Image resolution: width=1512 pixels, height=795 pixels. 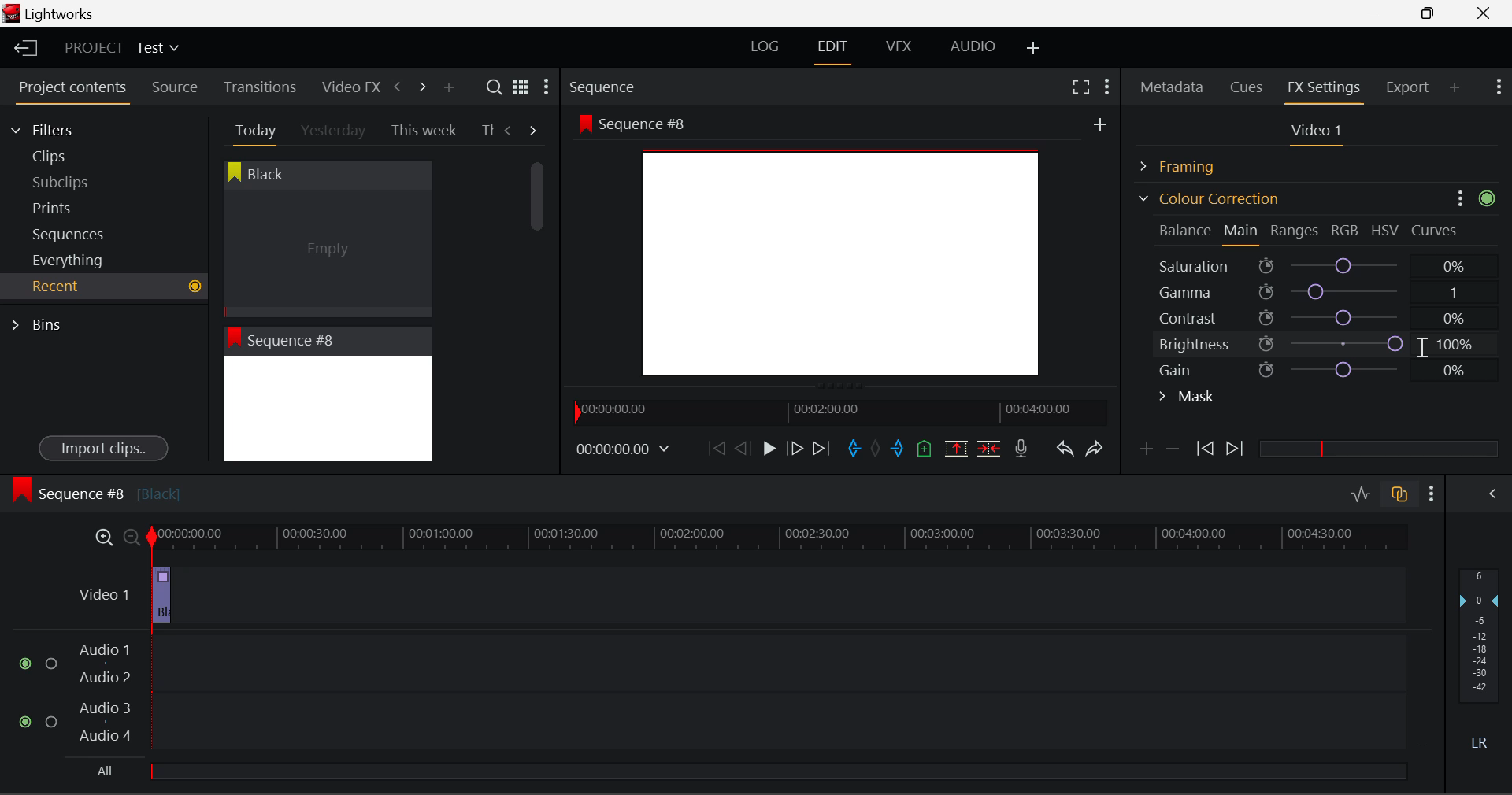 I want to click on Close, so click(x=1487, y=13).